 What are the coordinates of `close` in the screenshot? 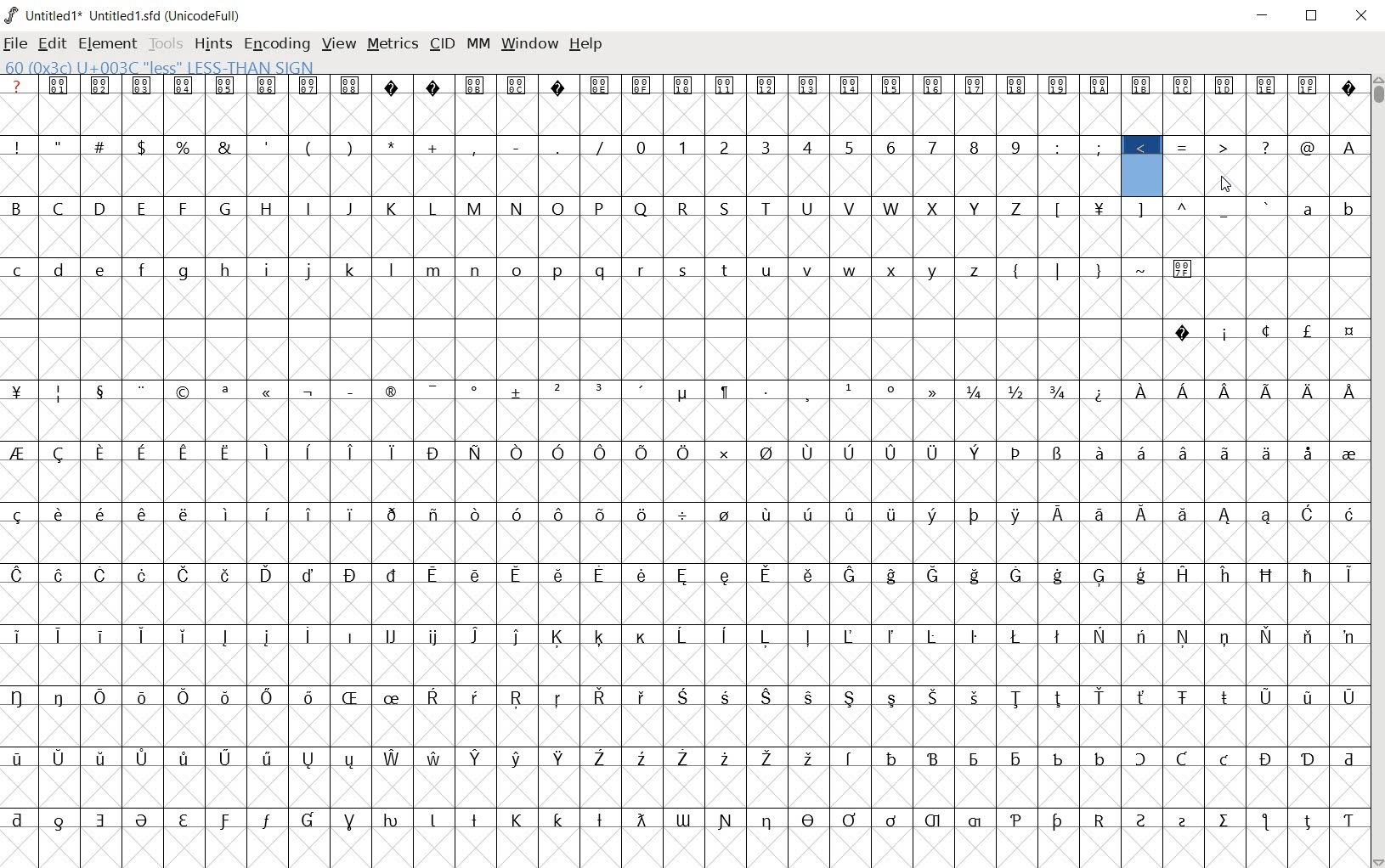 It's located at (1360, 15).